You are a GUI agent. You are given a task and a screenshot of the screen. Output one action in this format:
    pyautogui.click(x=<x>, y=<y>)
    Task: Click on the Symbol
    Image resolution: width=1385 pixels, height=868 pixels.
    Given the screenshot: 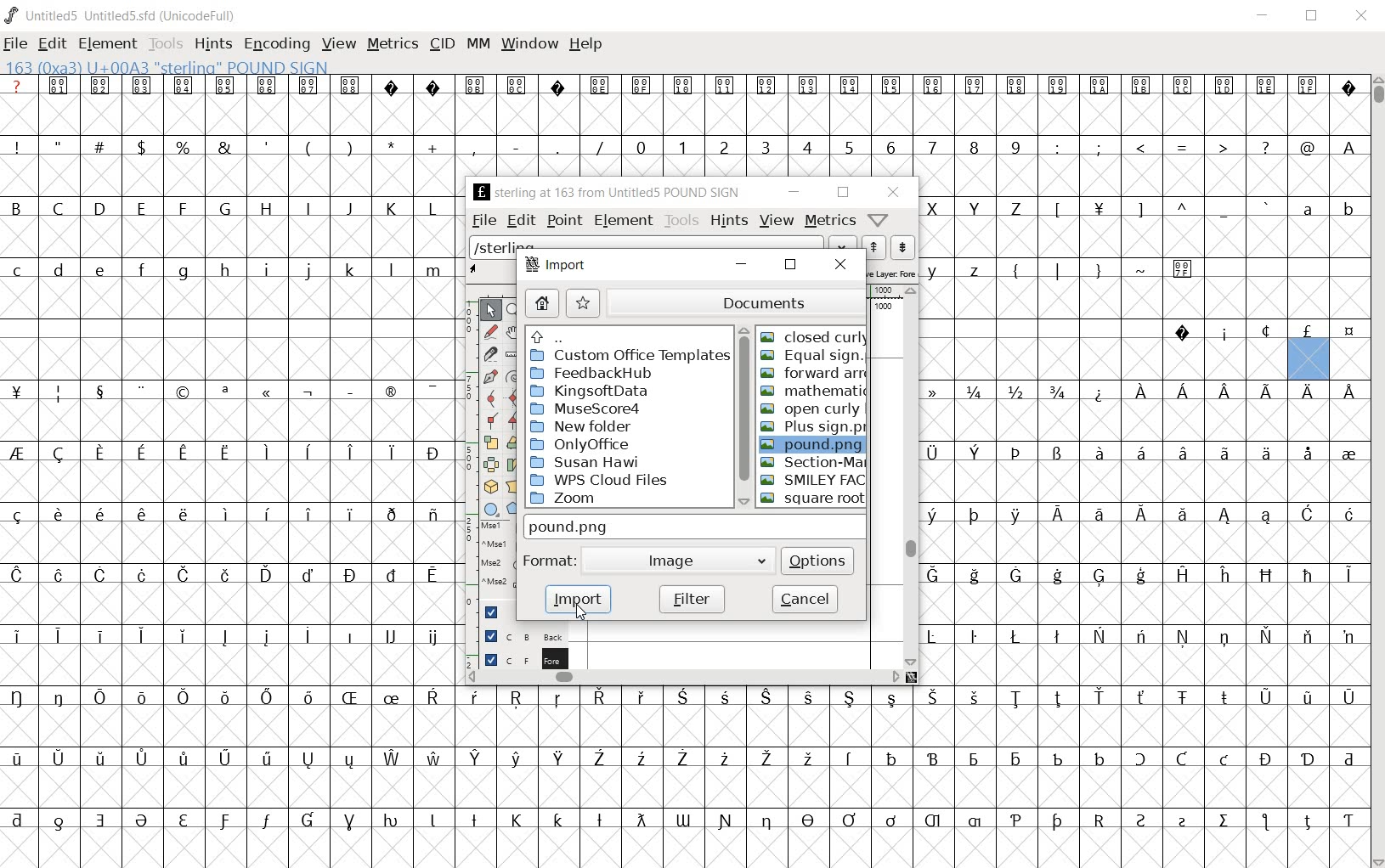 What is the action you would take?
    pyautogui.click(x=349, y=822)
    